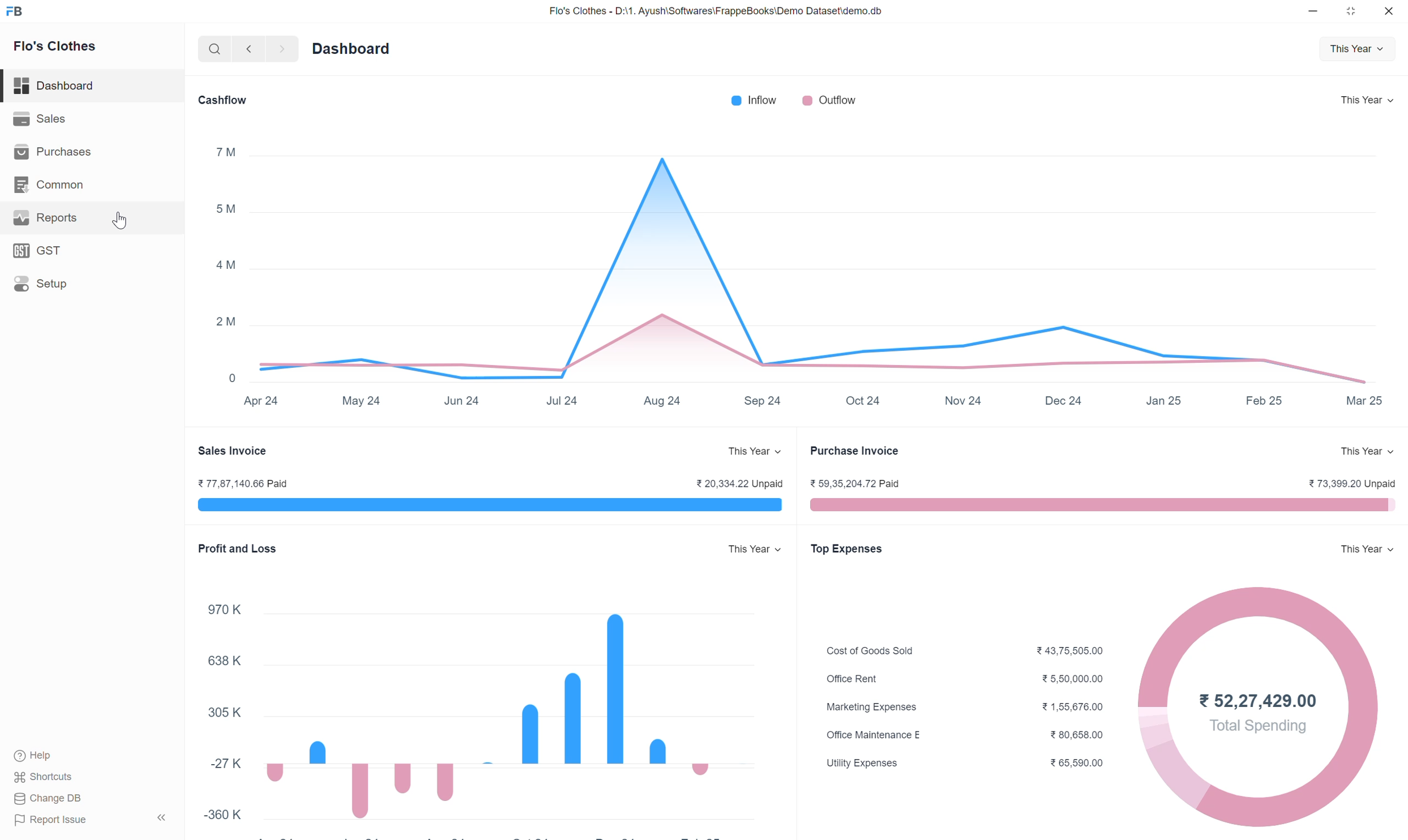 The width and height of the screenshot is (1408, 840). What do you see at coordinates (38, 121) in the screenshot?
I see `Sales` at bounding box center [38, 121].